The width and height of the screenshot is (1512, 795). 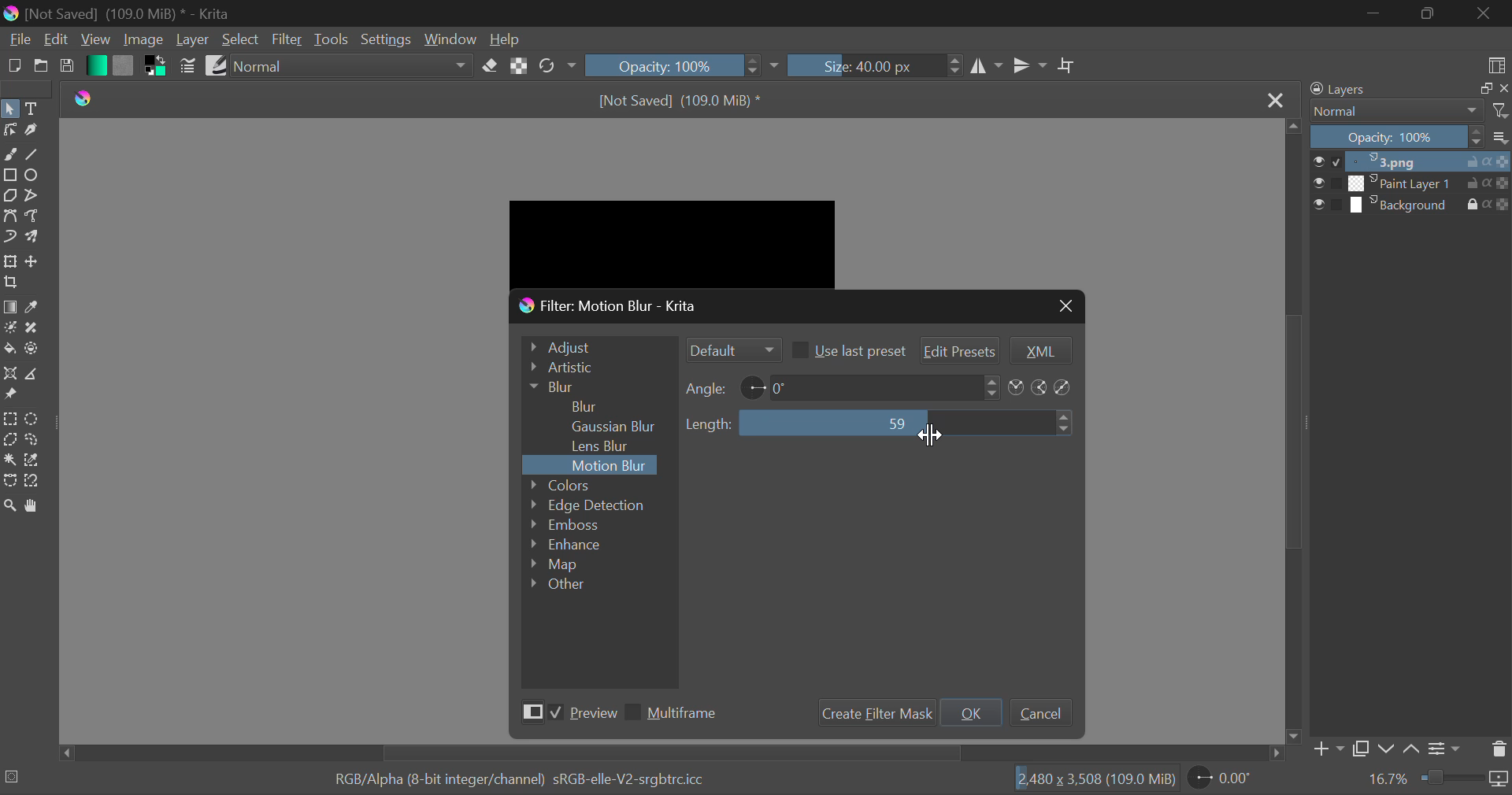 What do you see at coordinates (1029, 65) in the screenshot?
I see `Horizontal Mirror Flip` at bounding box center [1029, 65].